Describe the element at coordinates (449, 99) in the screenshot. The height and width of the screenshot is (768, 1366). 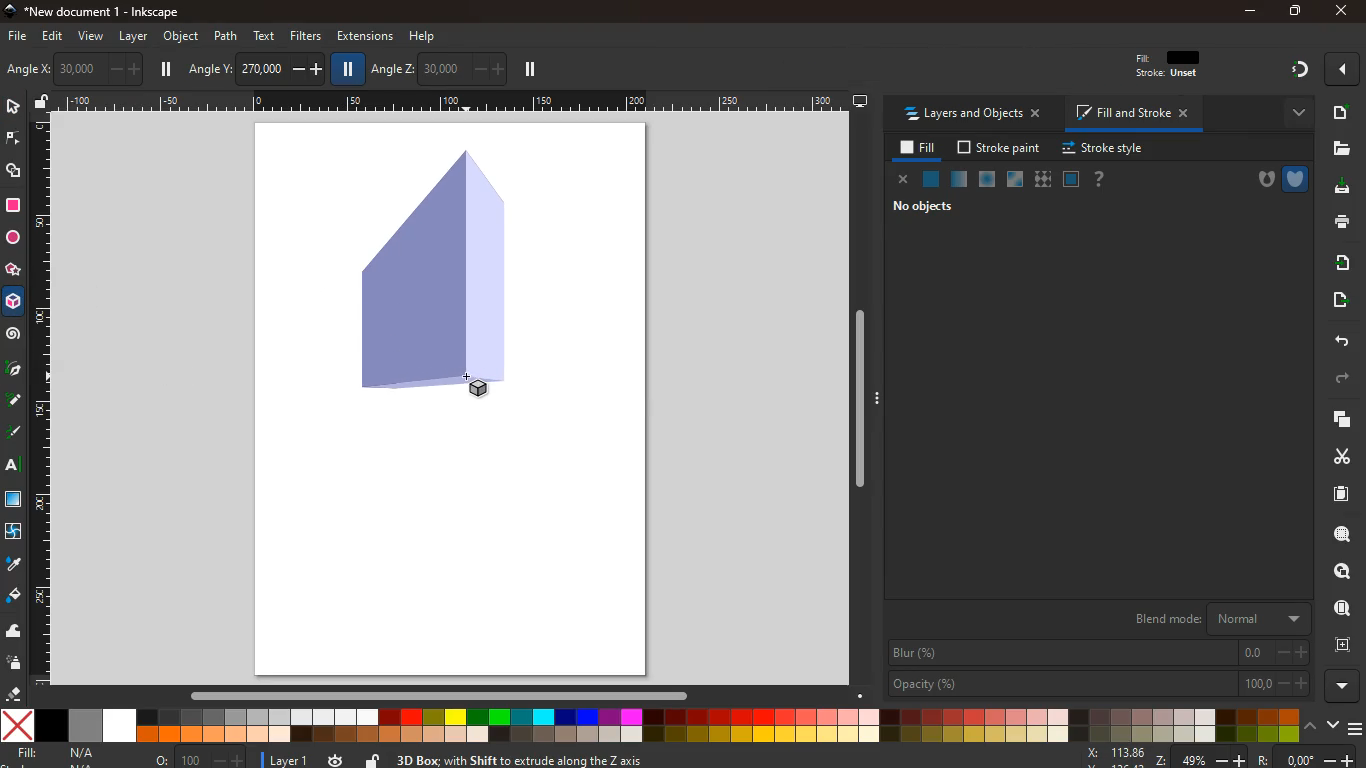
I see `Scale` at that location.